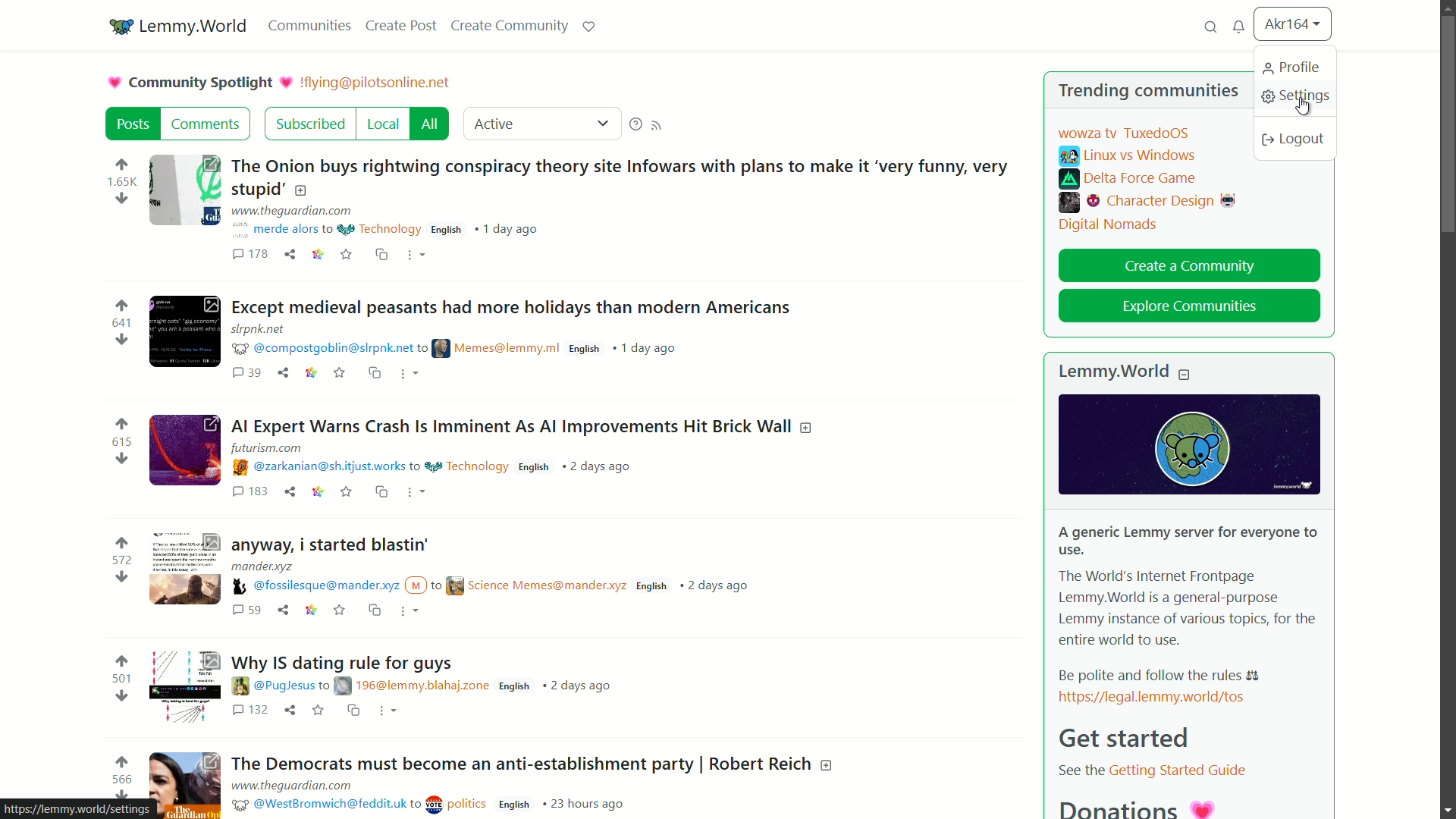 The width and height of the screenshot is (1456, 819). I want to click on link, so click(318, 491).